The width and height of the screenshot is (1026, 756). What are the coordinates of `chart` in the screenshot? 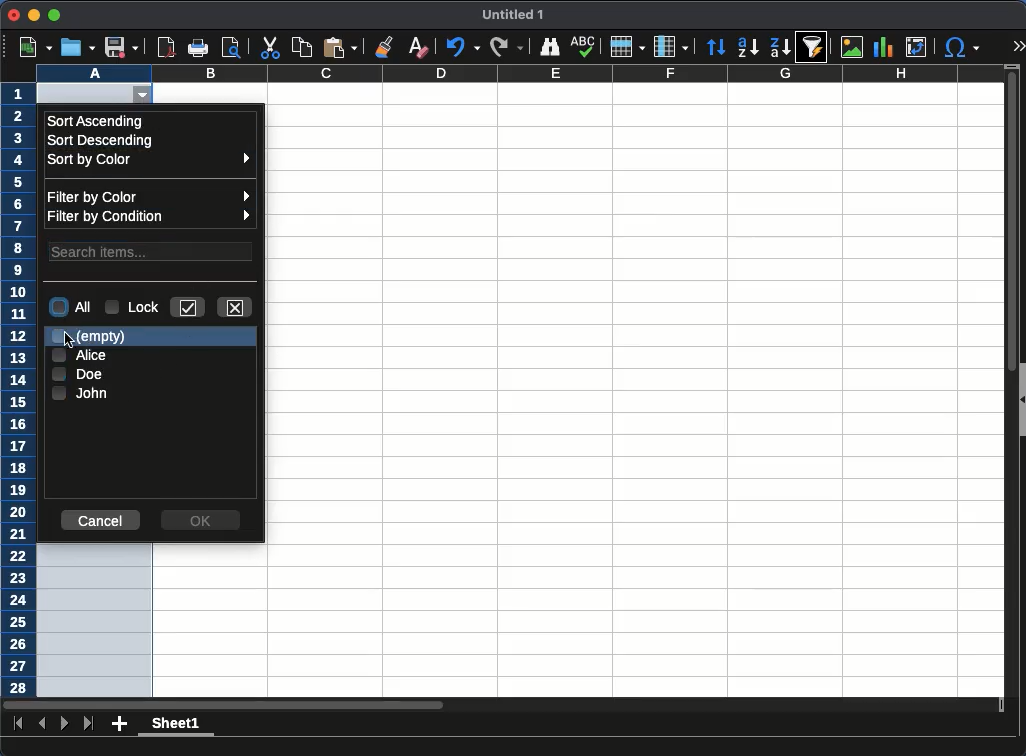 It's located at (883, 47).